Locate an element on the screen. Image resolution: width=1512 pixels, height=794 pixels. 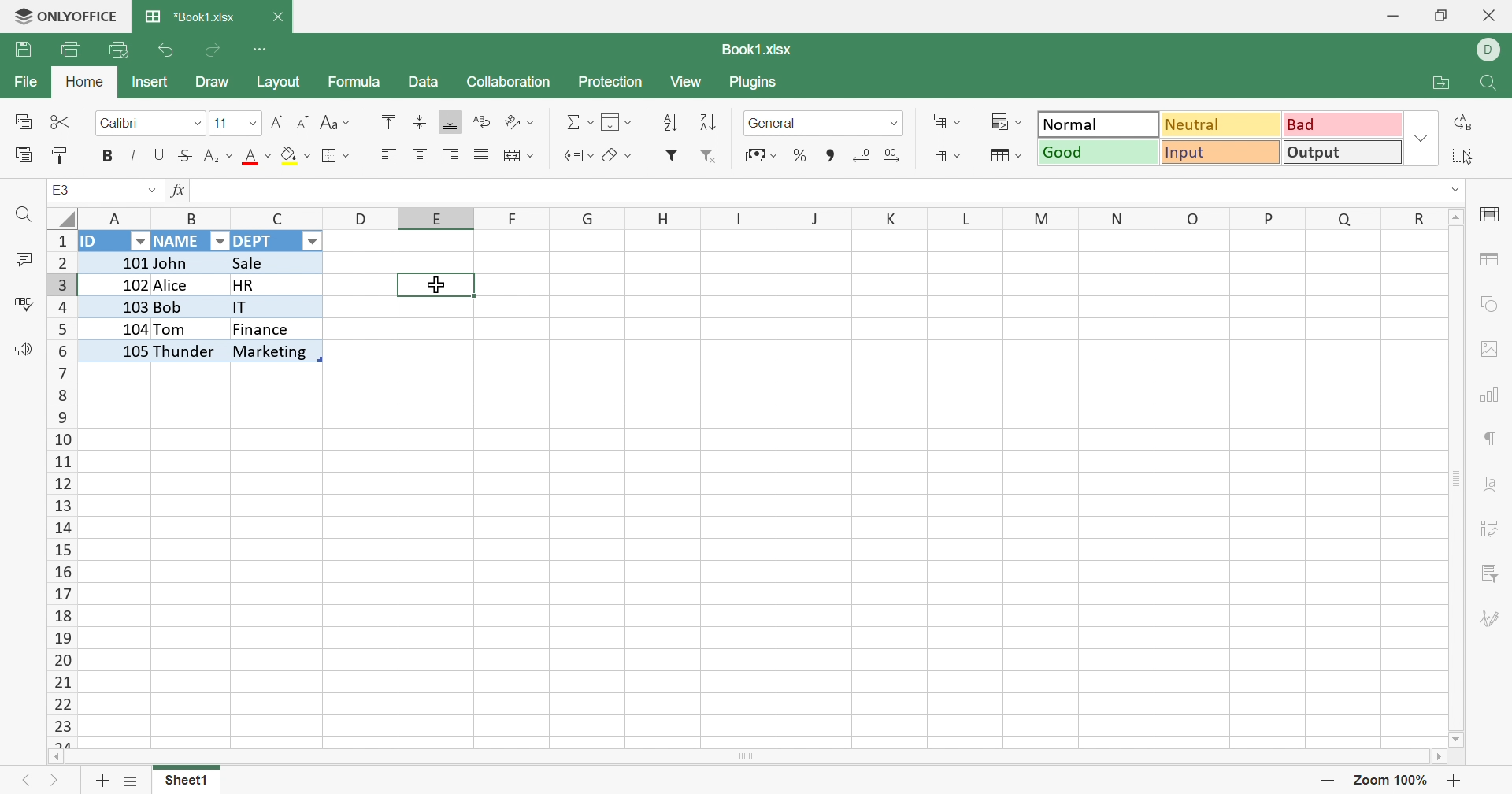
Drop Down is located at coordinates (315, 242).